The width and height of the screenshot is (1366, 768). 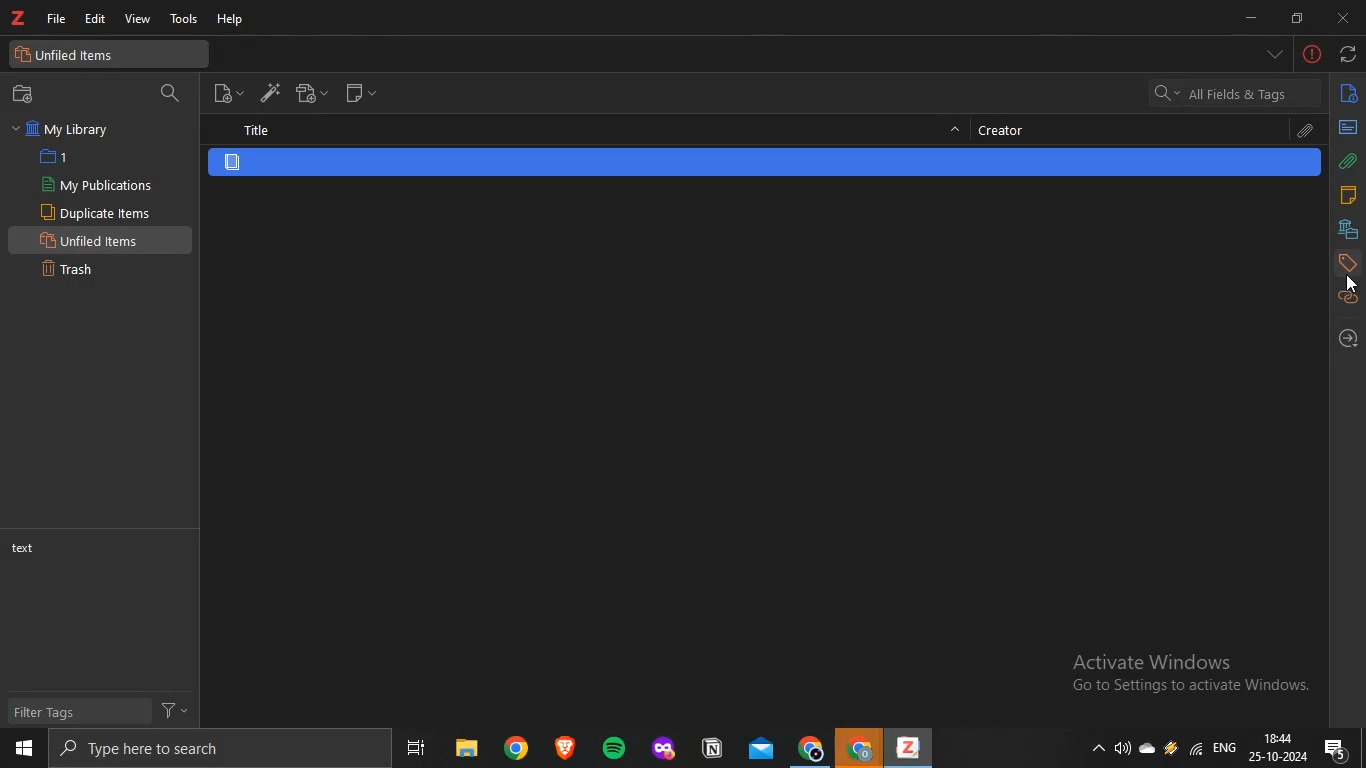 I want to click on app, so click(x=708, y=747).